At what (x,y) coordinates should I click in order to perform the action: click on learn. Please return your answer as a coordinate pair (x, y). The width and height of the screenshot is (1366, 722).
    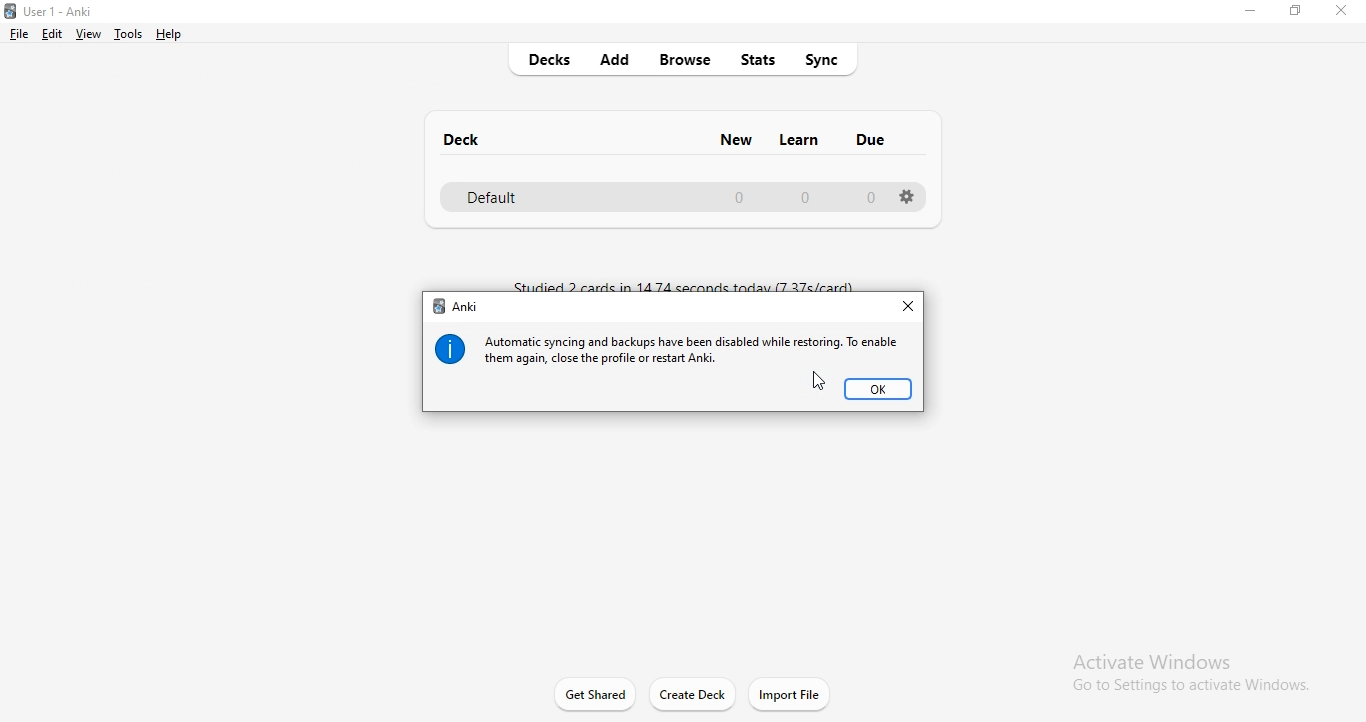
    Looking at the image, I should click on (801, 137).